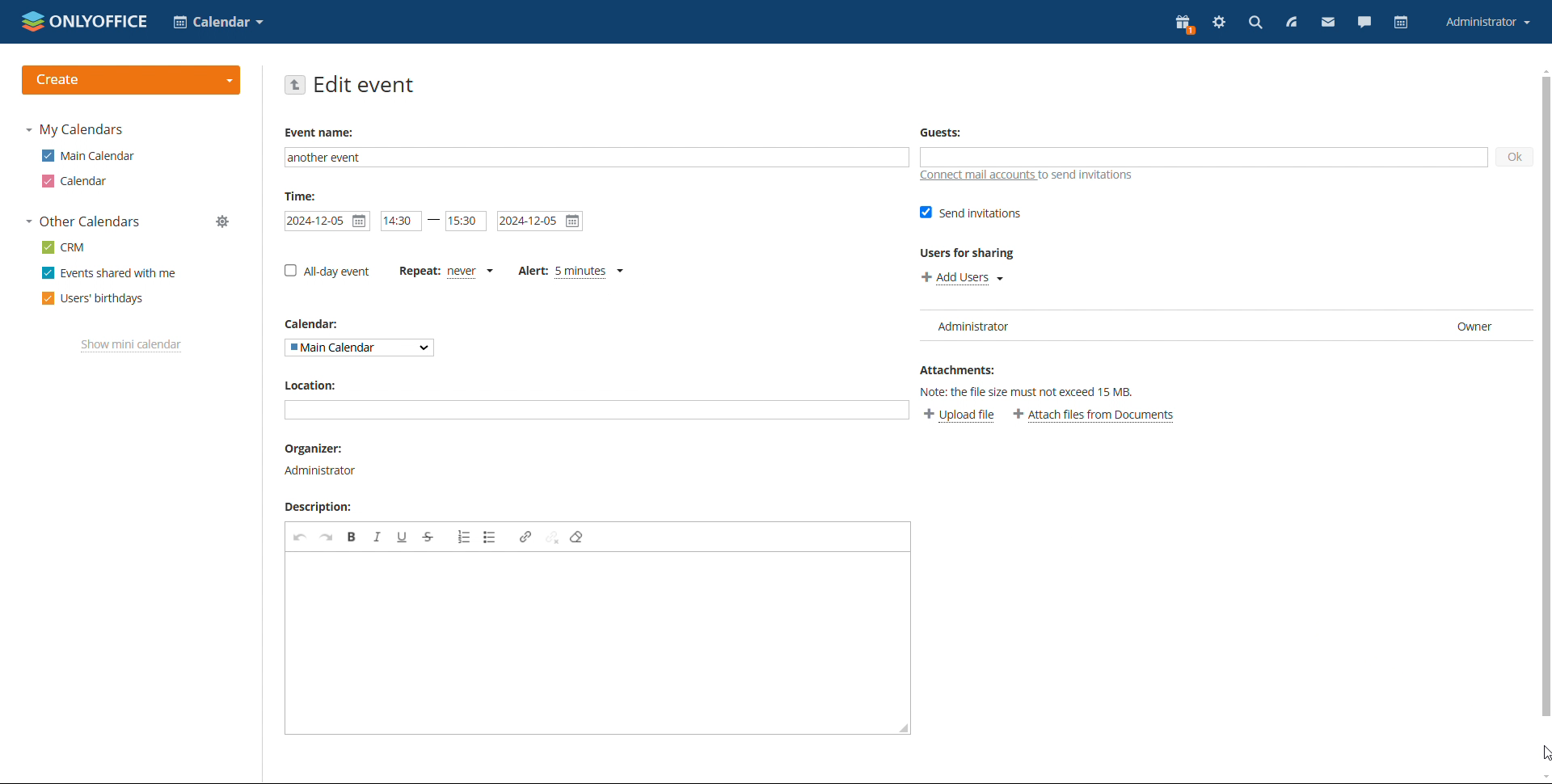 The width and height of the screenshot is (1552, 784). What do you see at coordinates (359, 348) in the screenshot?
I see `select calendar` at bounding box center [359, 348].